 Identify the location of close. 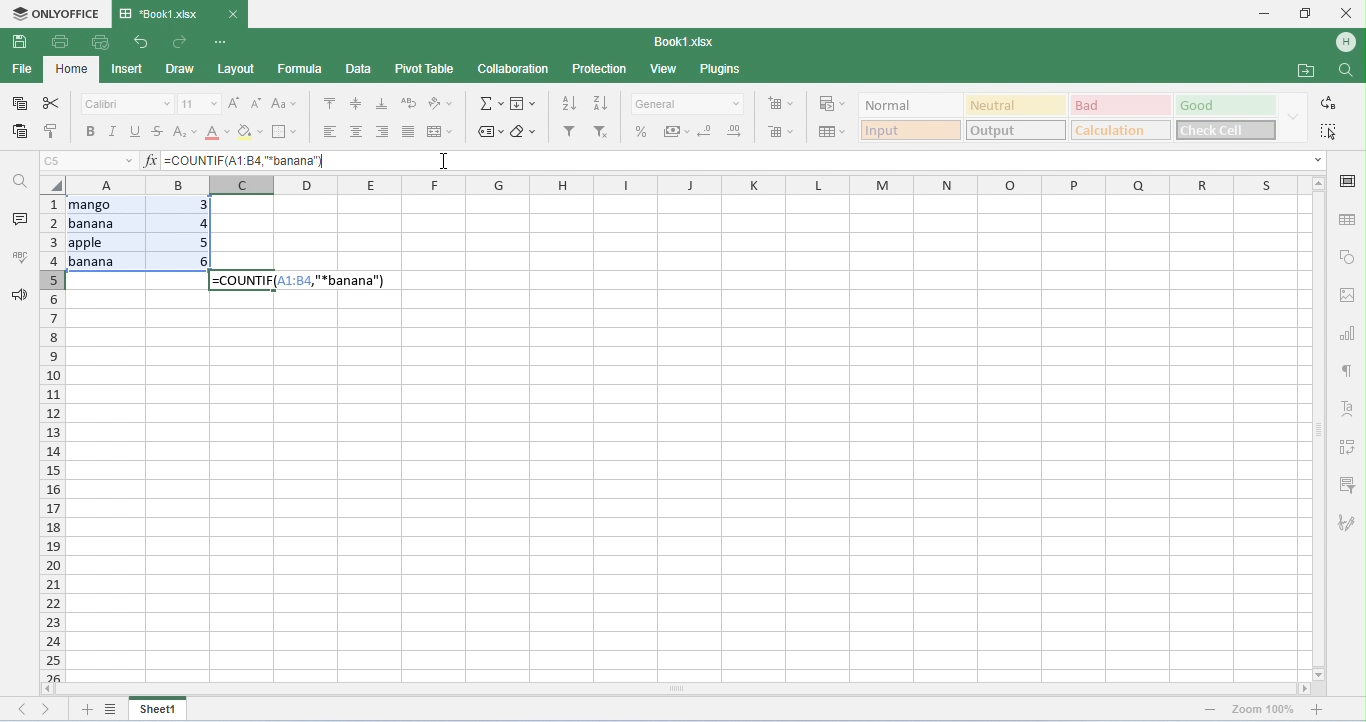
(1346, 13).